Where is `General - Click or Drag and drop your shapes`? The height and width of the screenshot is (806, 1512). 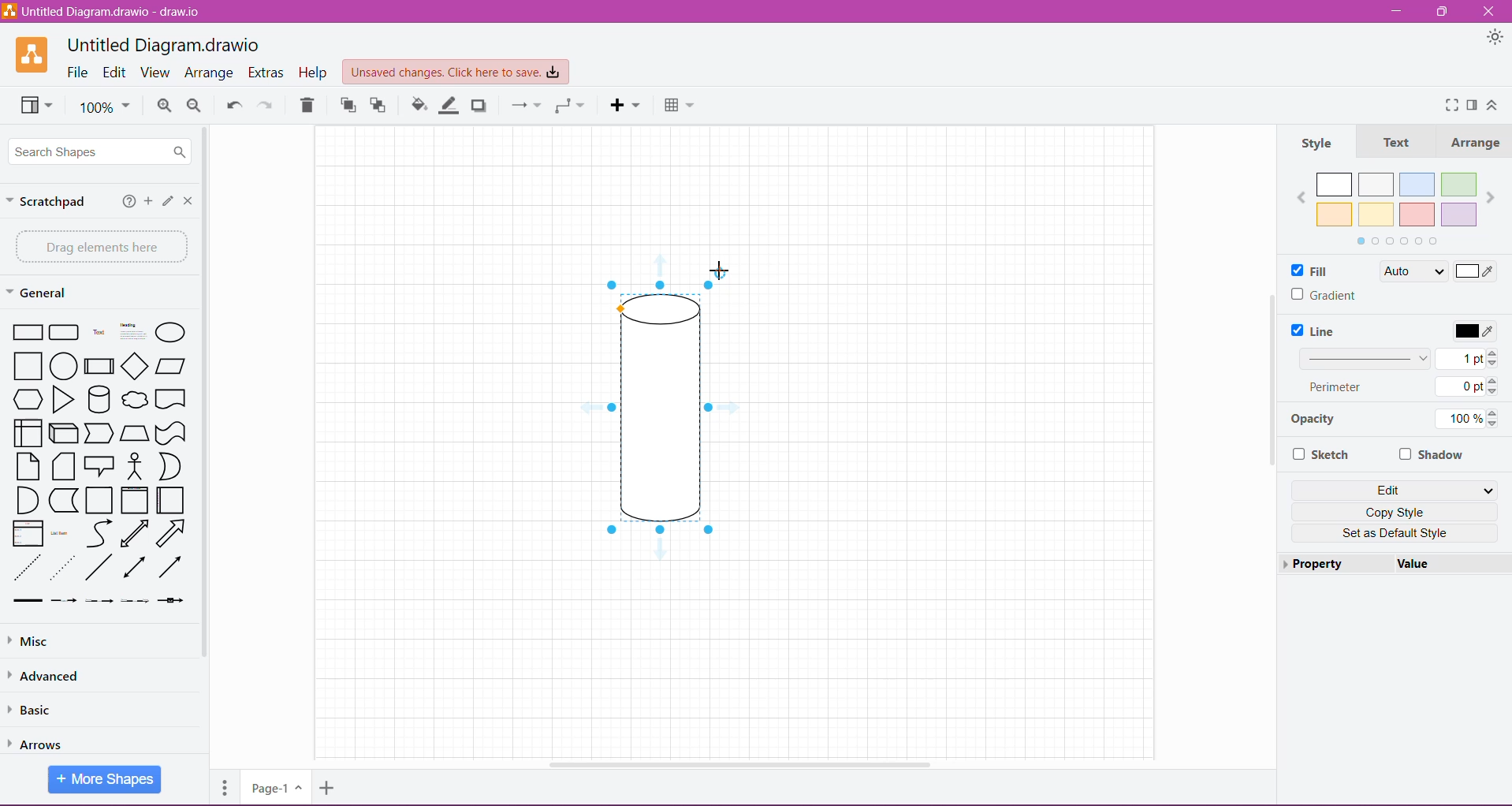
General - Click or Drag and drop your shapes is located at coordinates (39, 293).